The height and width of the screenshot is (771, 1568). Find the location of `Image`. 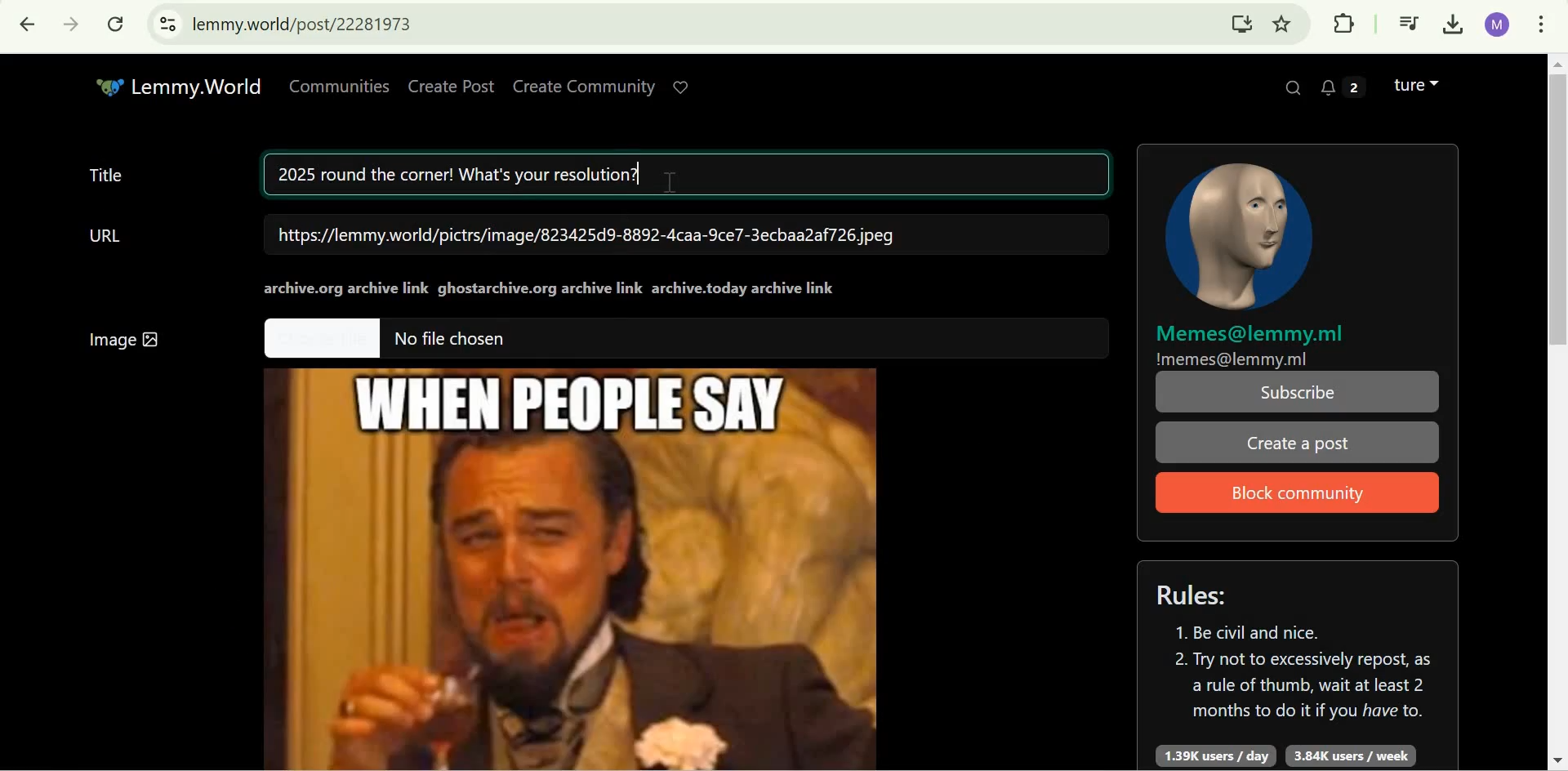

Image is located at coordinates (126, 334).